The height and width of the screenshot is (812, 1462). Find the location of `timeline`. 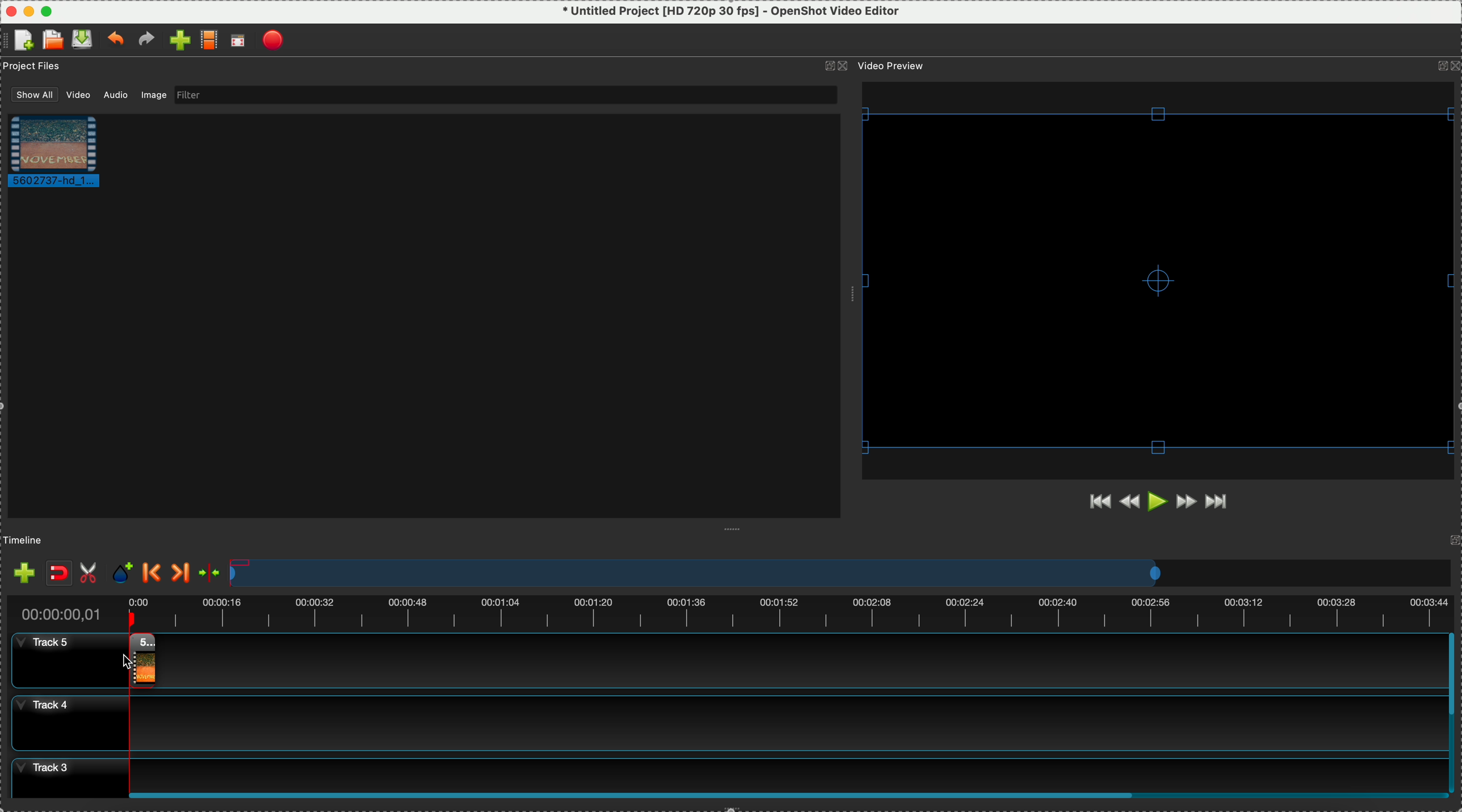

timeline is located at coordinates (27, 539).